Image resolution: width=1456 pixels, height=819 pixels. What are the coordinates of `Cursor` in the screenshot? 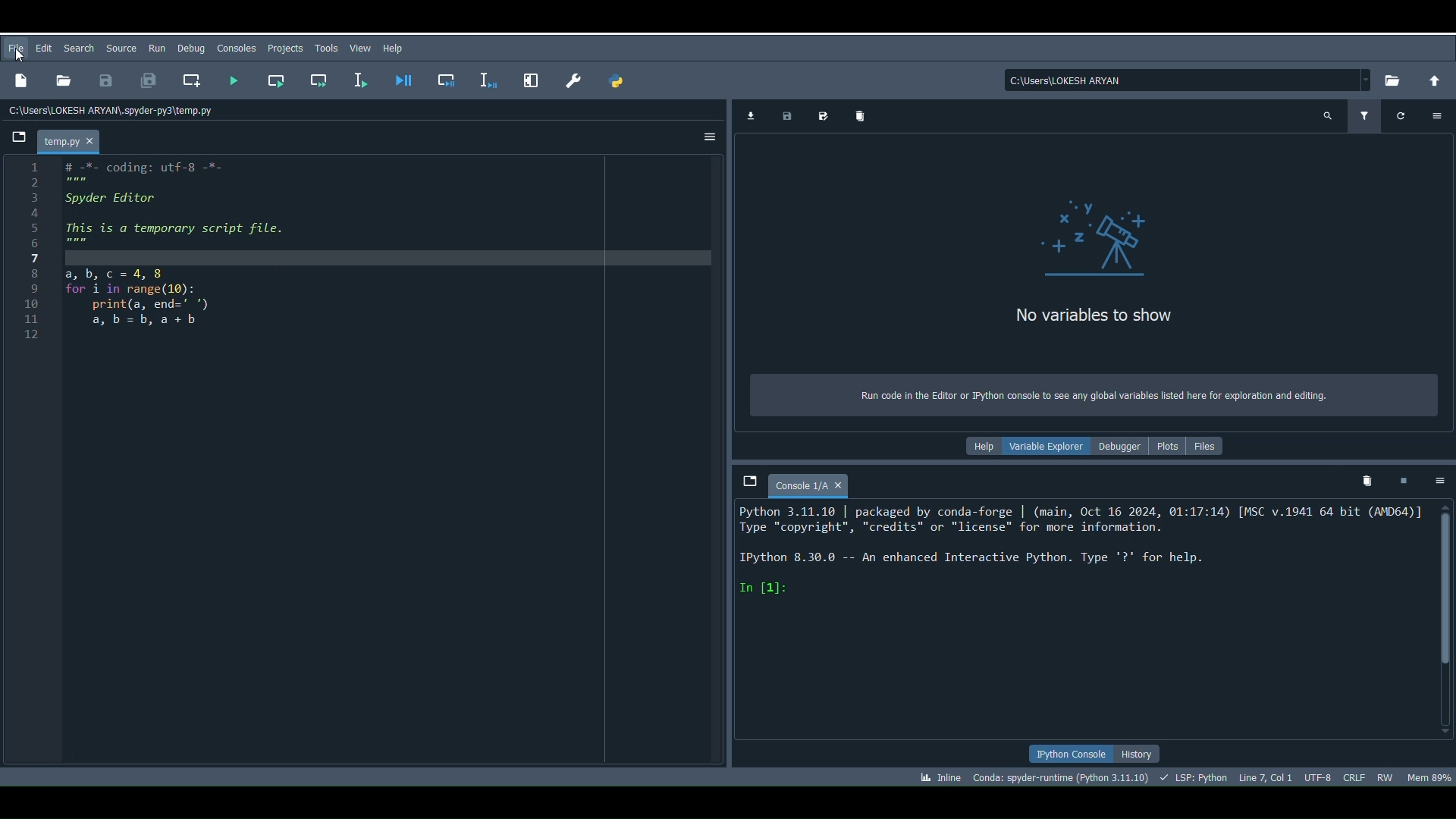 It's located at (18, 57).